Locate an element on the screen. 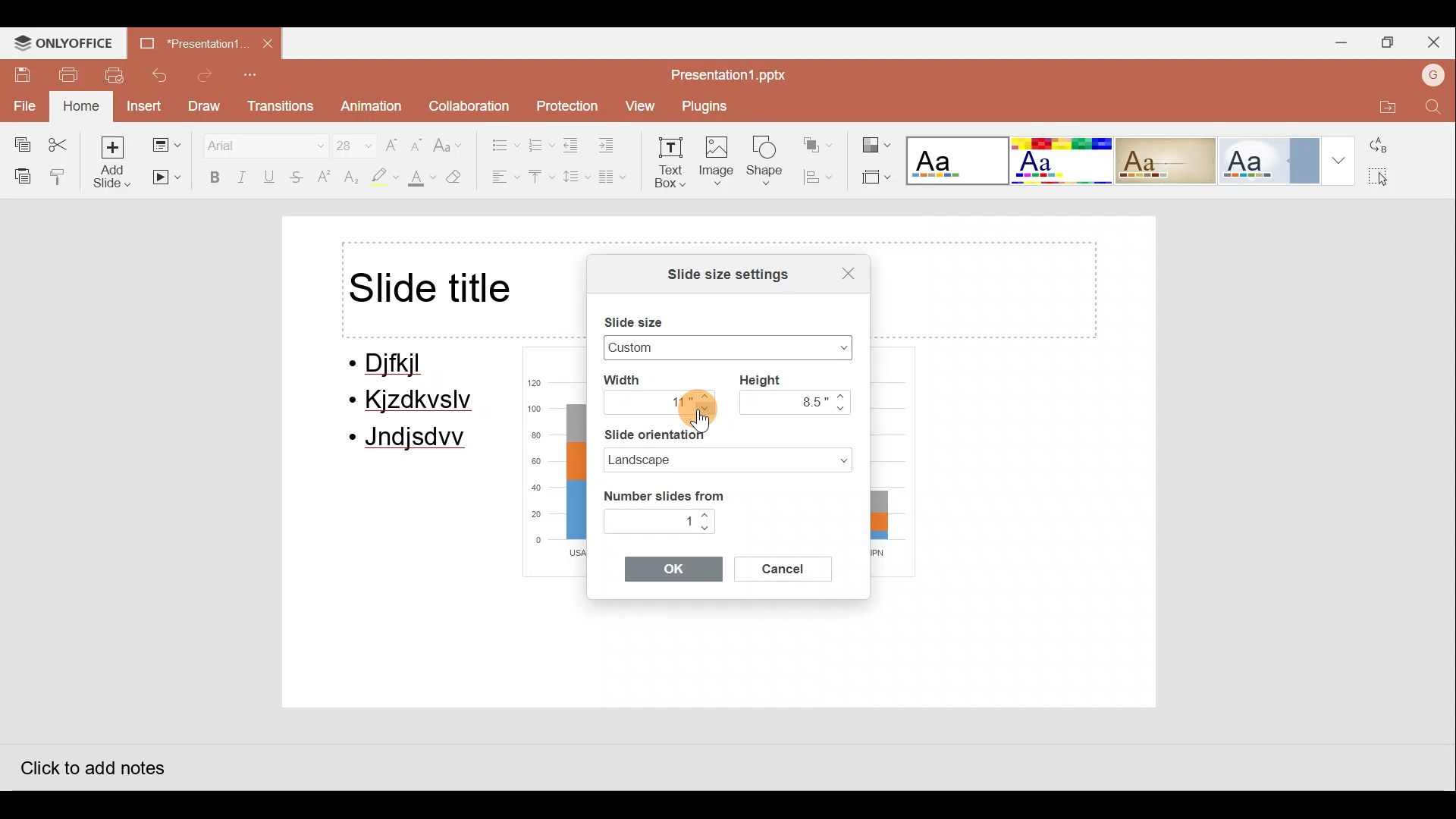  Navigate down is located at coordinates (708, 529).